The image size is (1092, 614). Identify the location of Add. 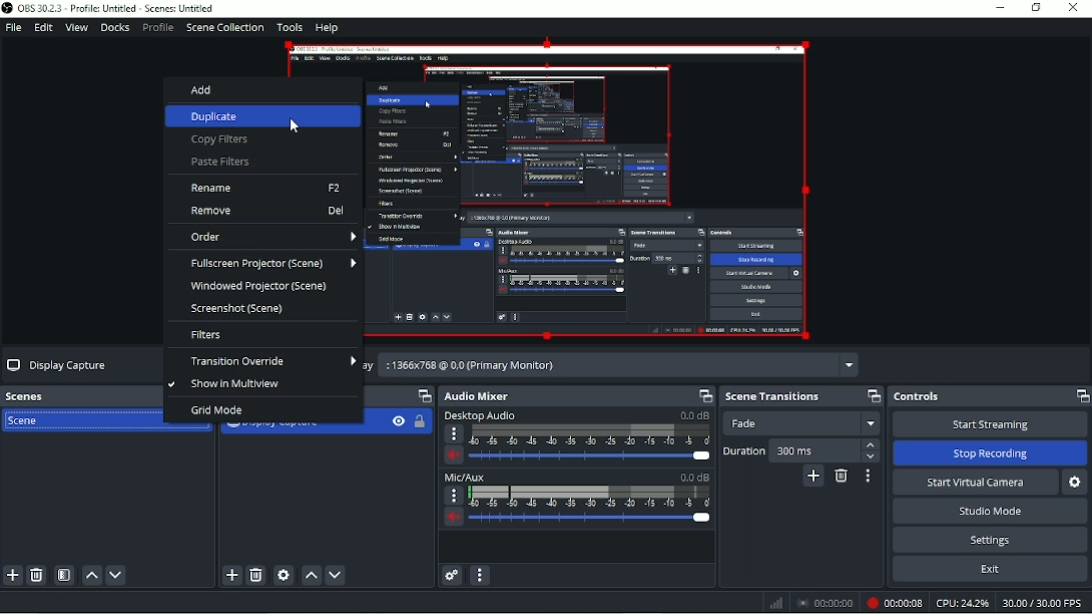
(206, 89).